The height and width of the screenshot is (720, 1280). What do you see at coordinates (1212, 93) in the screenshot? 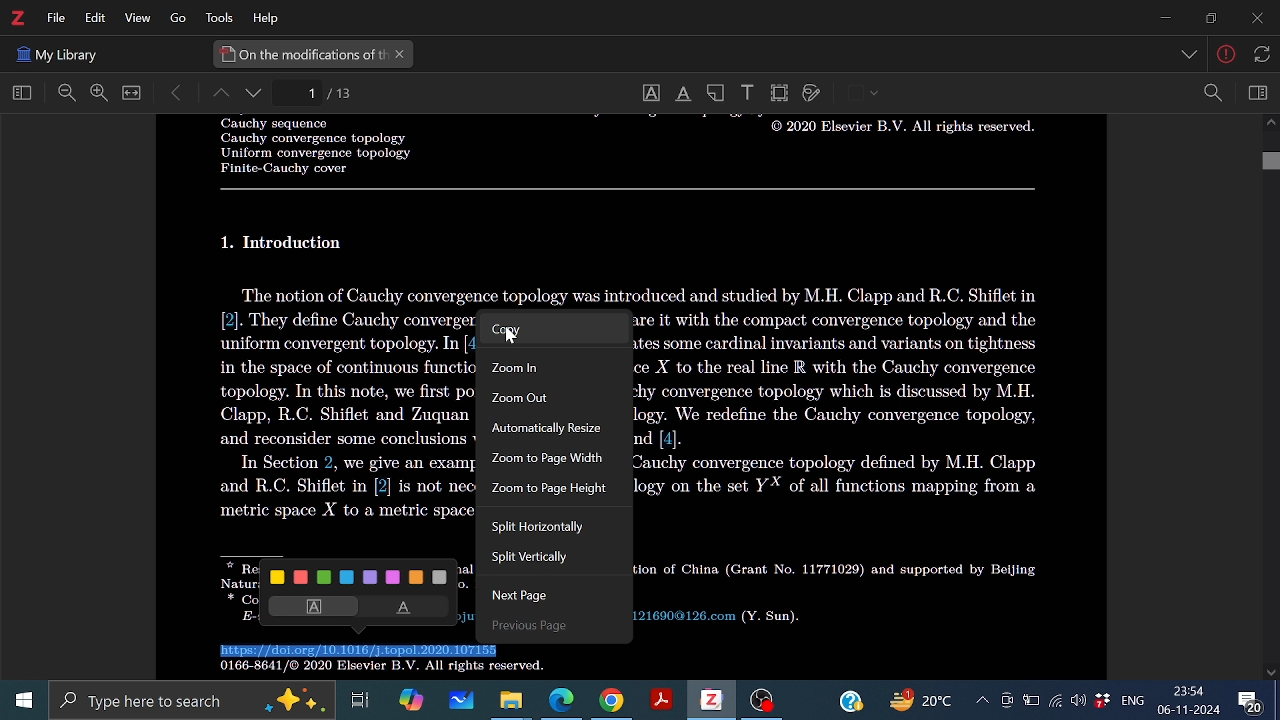
I see `Zoom` at bounding box center [1212, 93].